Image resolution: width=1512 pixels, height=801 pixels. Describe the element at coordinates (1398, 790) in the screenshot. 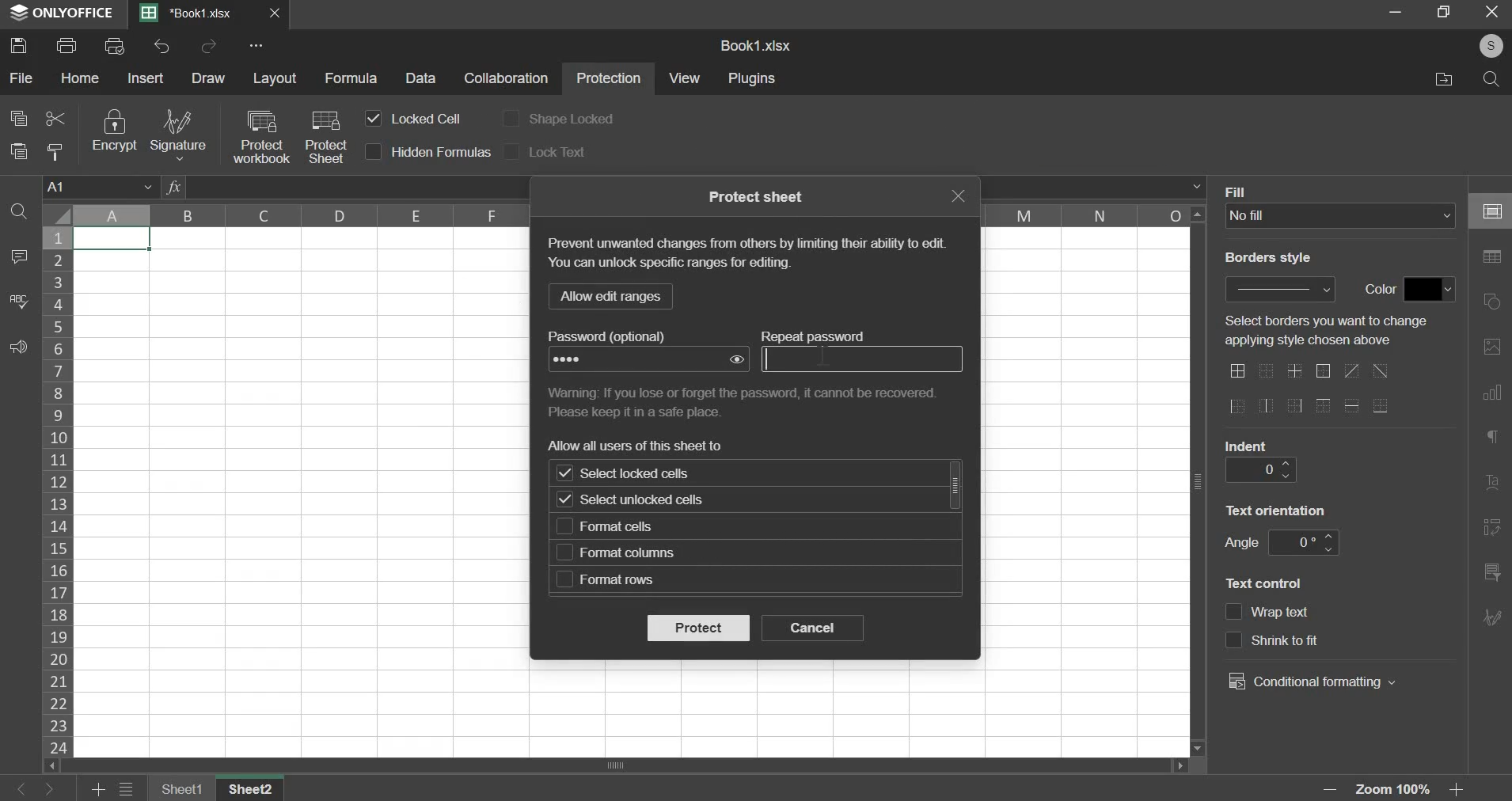

I see `Zoom 100%` at that location.